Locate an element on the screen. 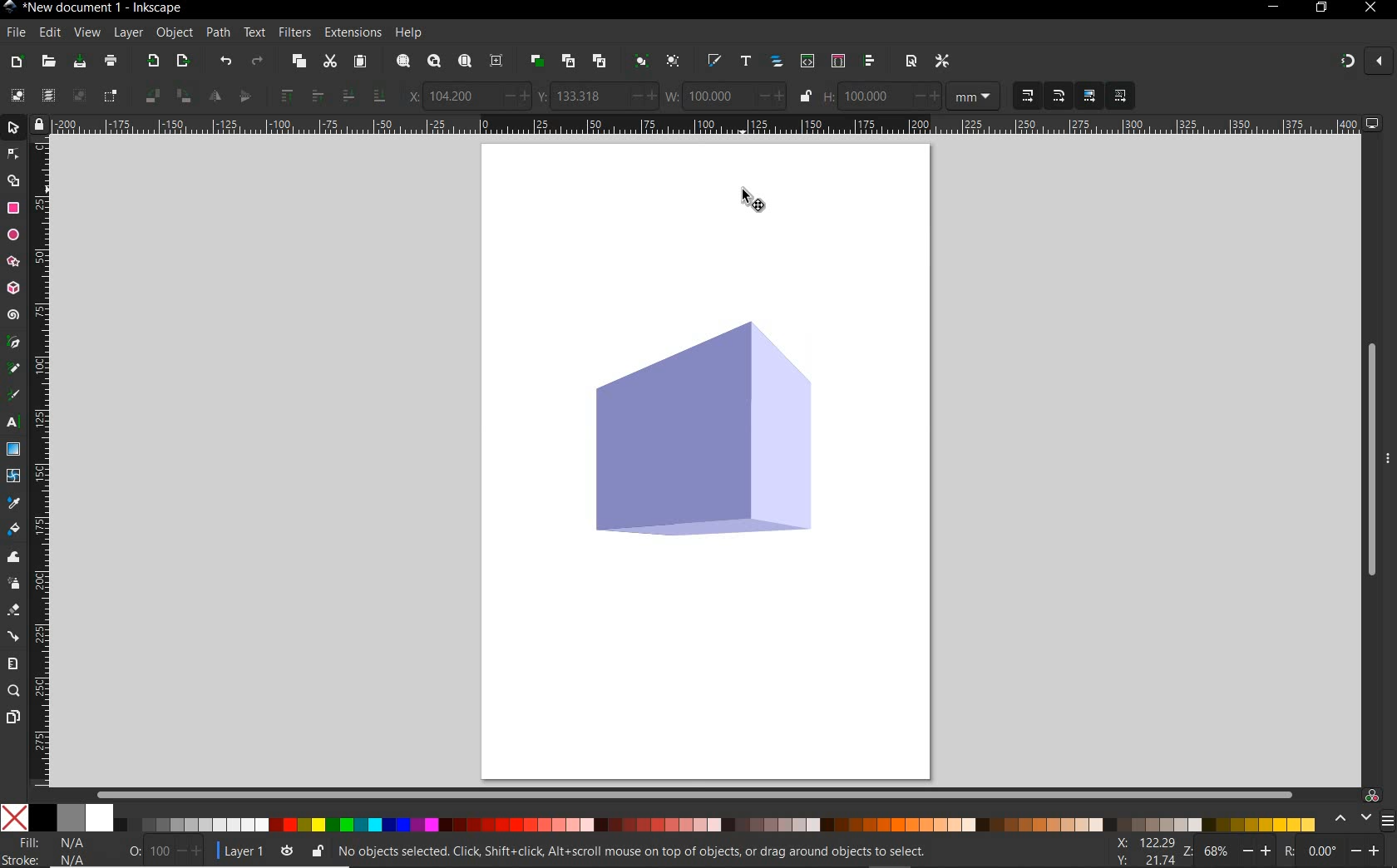 The width and height of the screenshot is (1397, 868). filters is located at coordinates (296, 32).